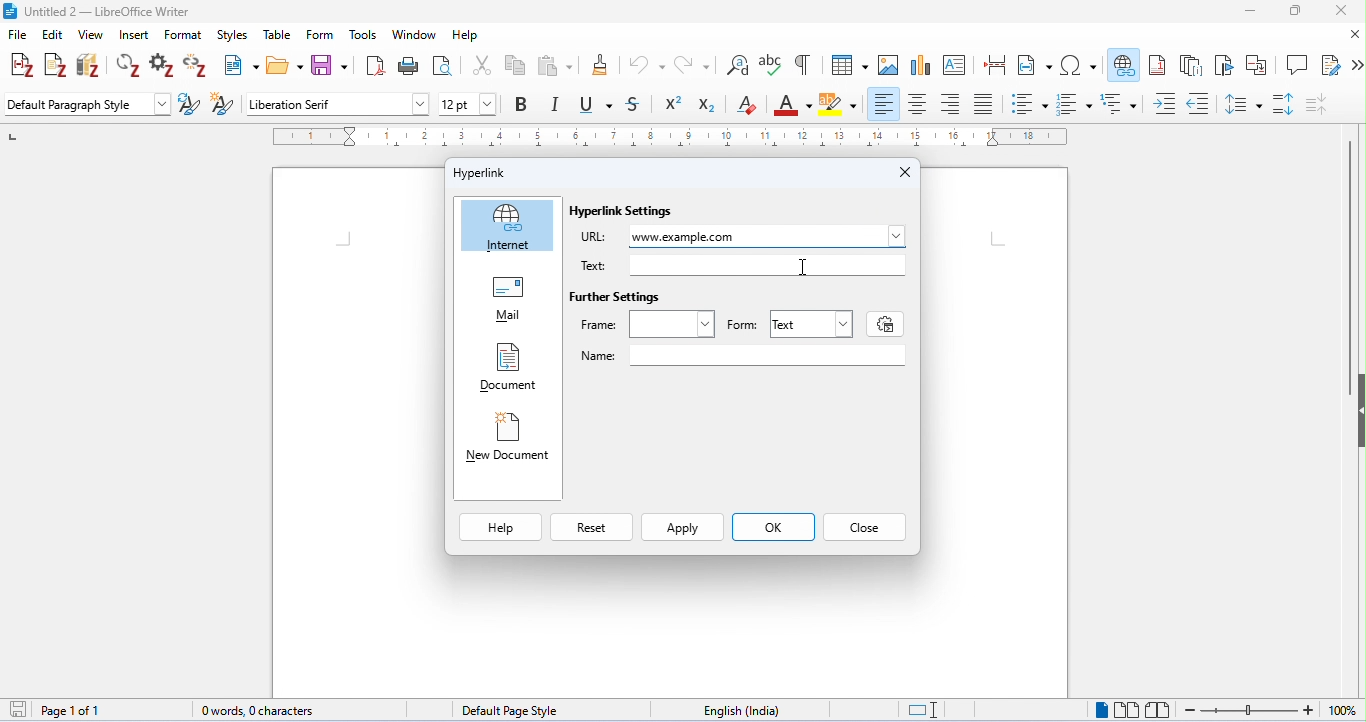  I want to click on insert text box, so click(959, 66).